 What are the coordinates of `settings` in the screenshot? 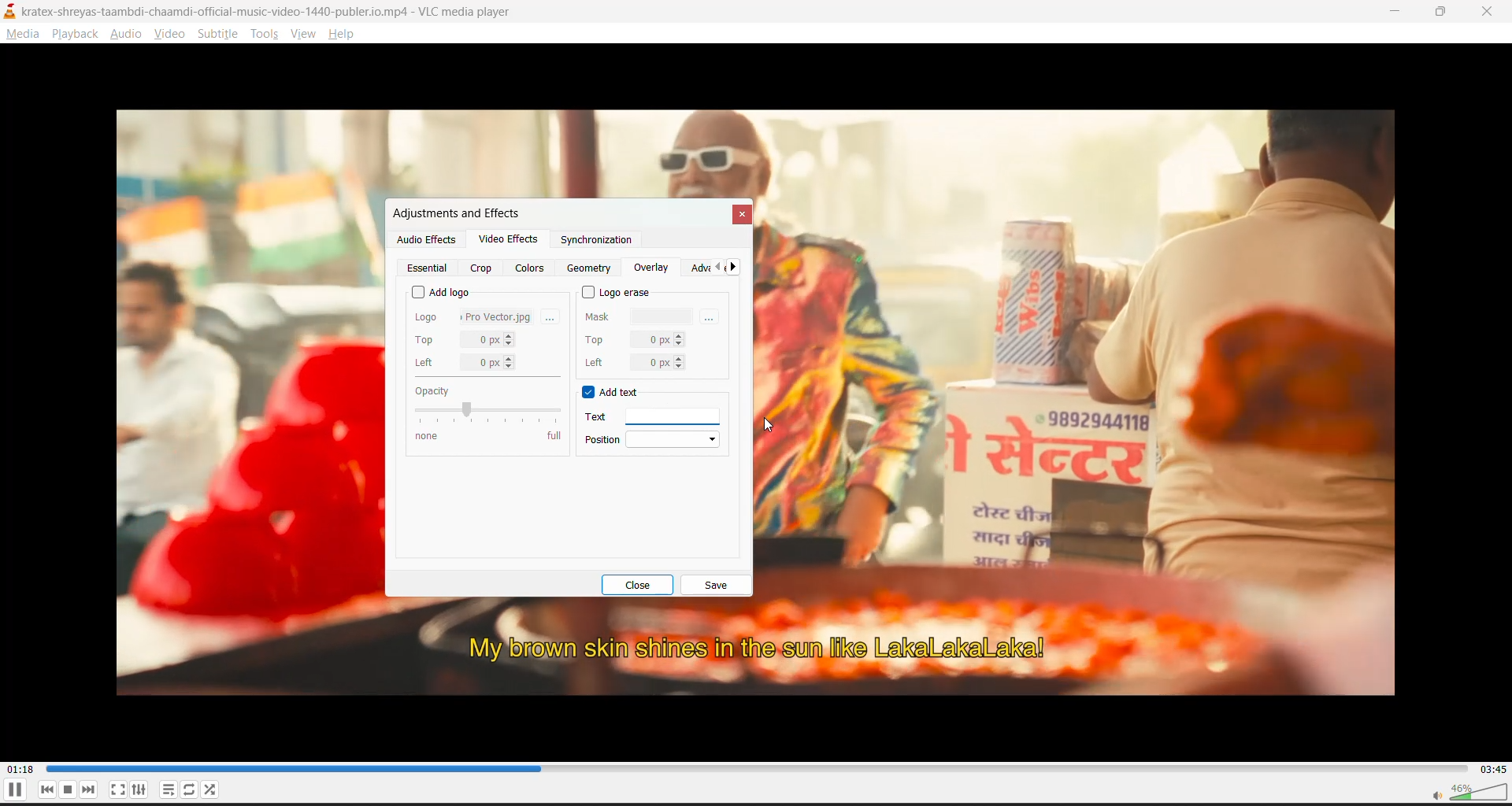 It's located at (143, 789).